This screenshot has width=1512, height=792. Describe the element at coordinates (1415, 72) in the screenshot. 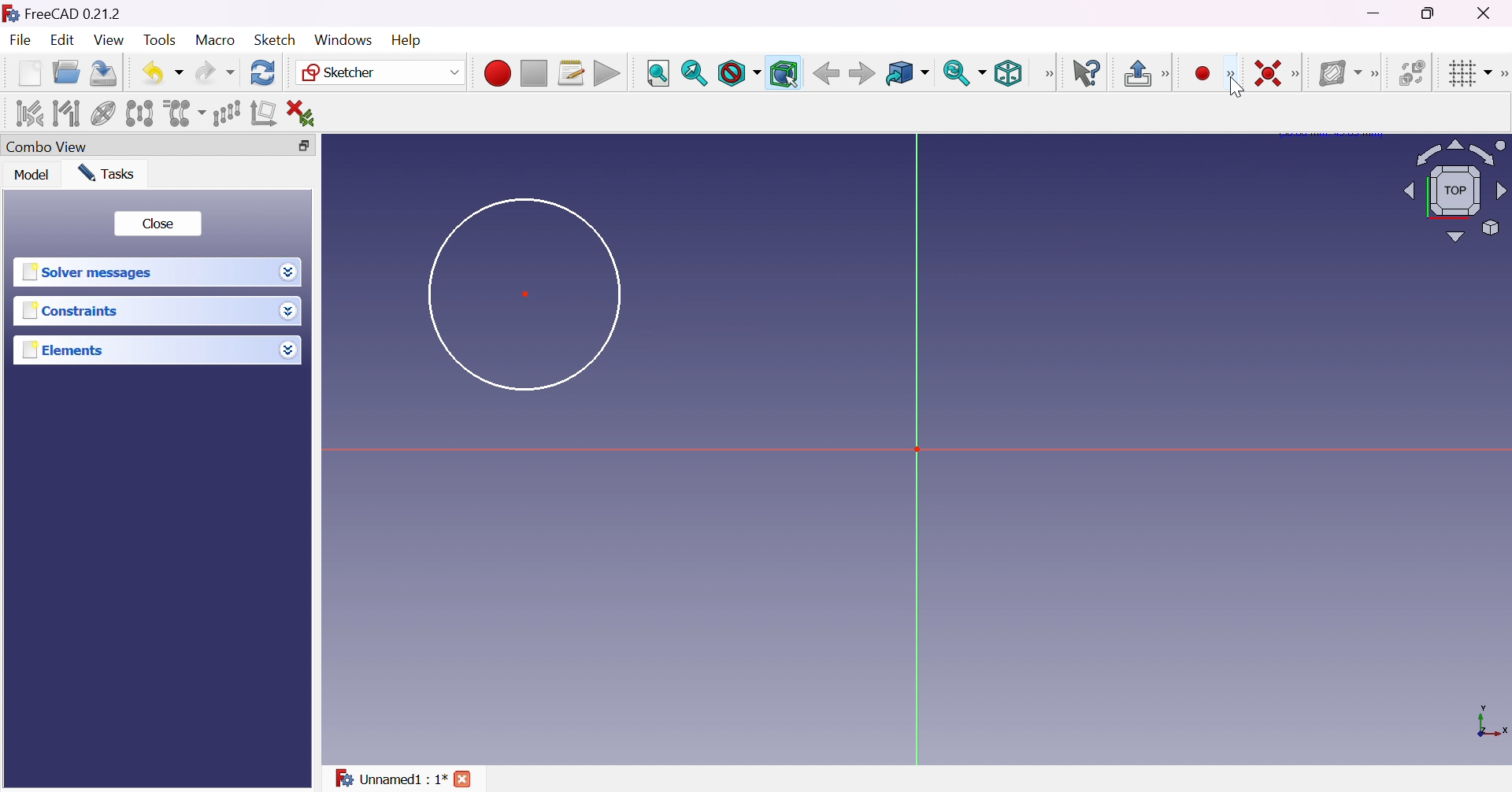

I see `Switch virtual space` at that location.